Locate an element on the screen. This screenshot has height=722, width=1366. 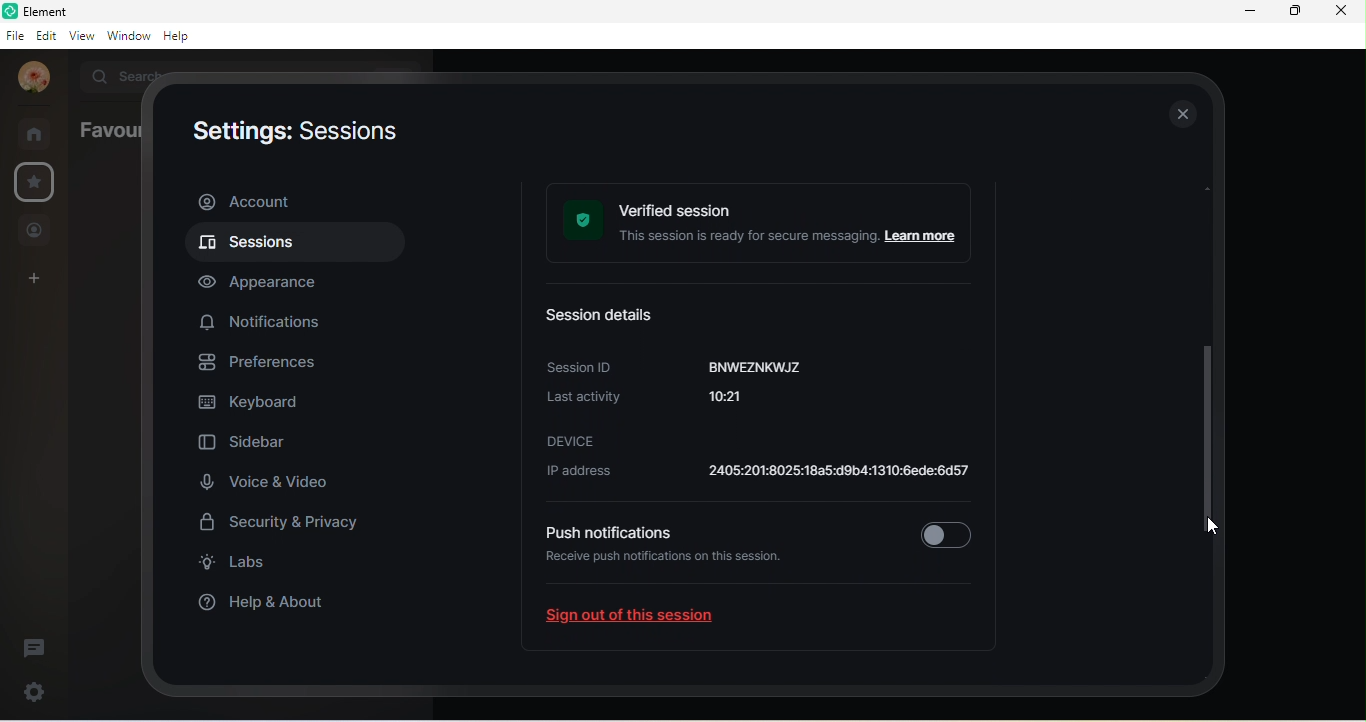
window is located at coordinates (128, 35).